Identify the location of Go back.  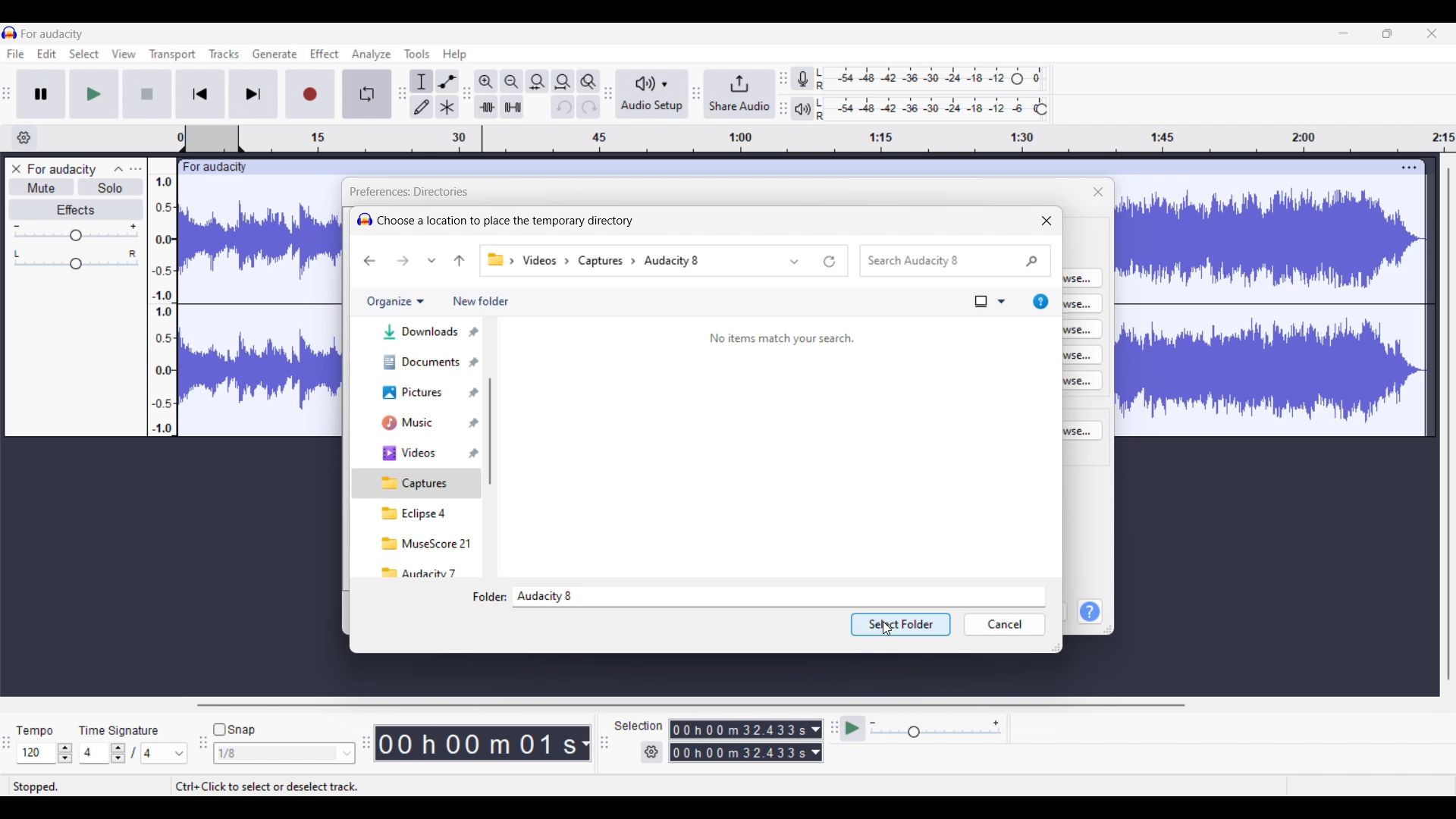
(370, 261).